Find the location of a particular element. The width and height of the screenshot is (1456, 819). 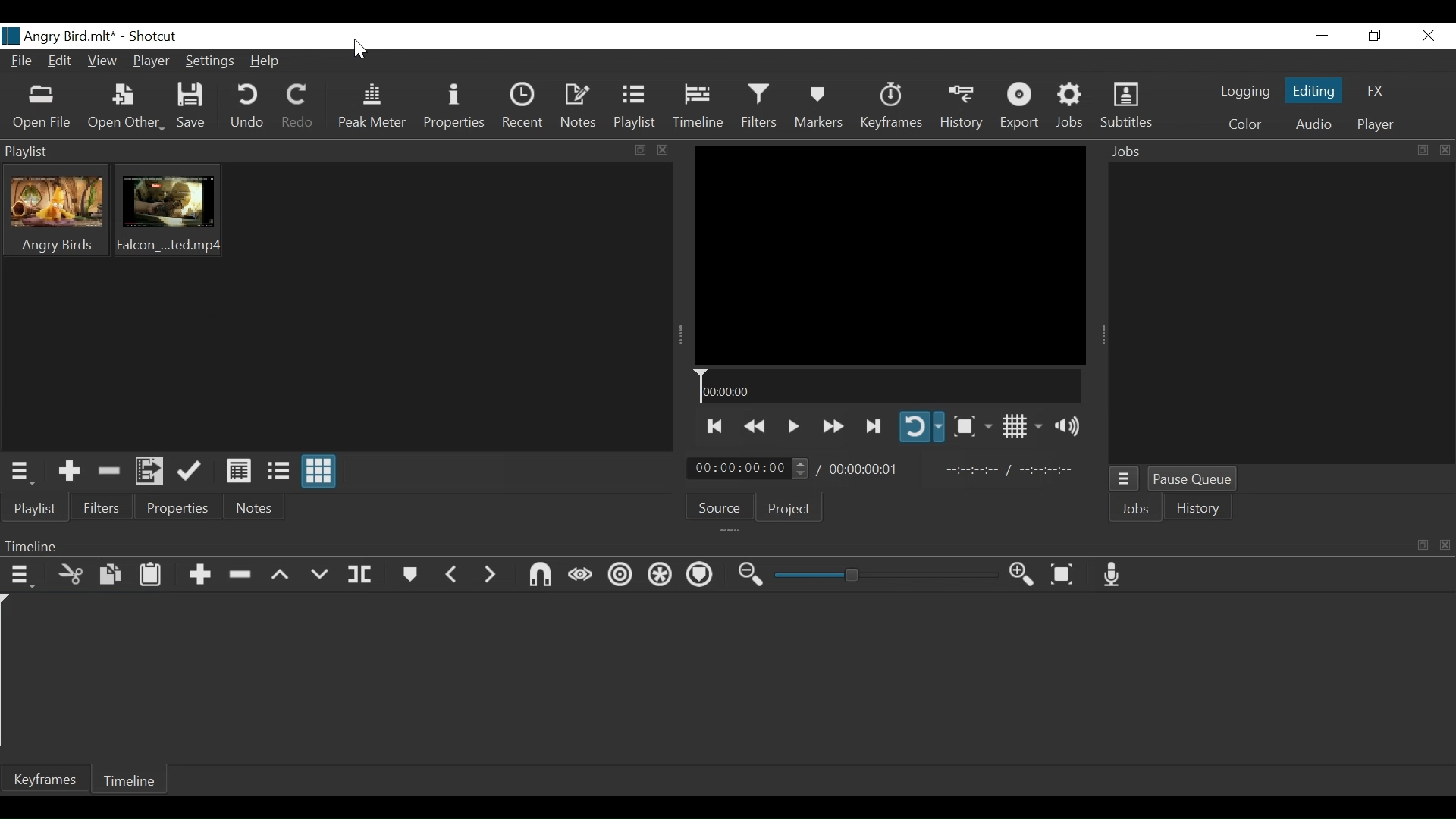

Clip is located at coordinates (169, 212).